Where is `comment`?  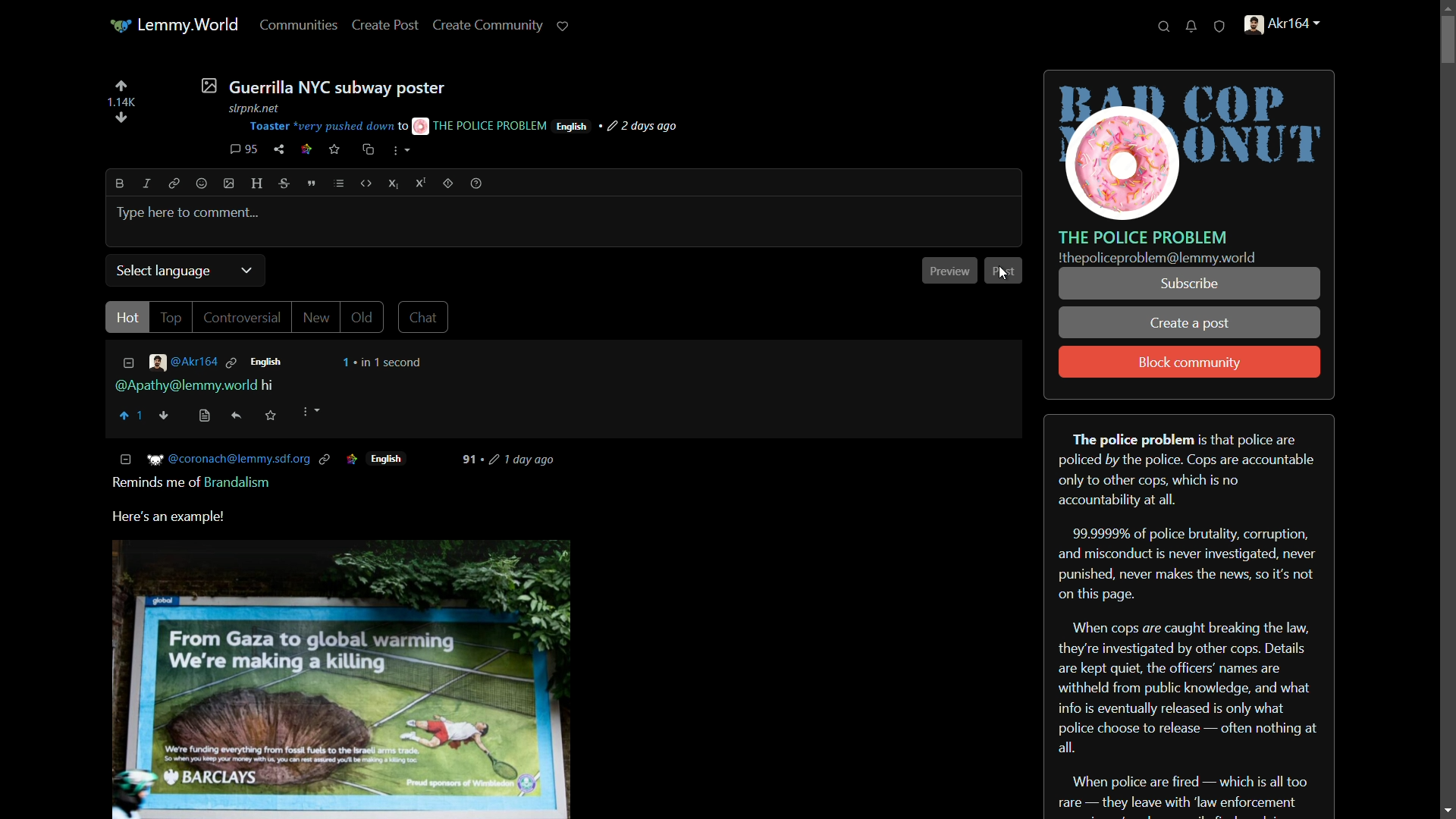 comment is located at coordinates (243, 149).